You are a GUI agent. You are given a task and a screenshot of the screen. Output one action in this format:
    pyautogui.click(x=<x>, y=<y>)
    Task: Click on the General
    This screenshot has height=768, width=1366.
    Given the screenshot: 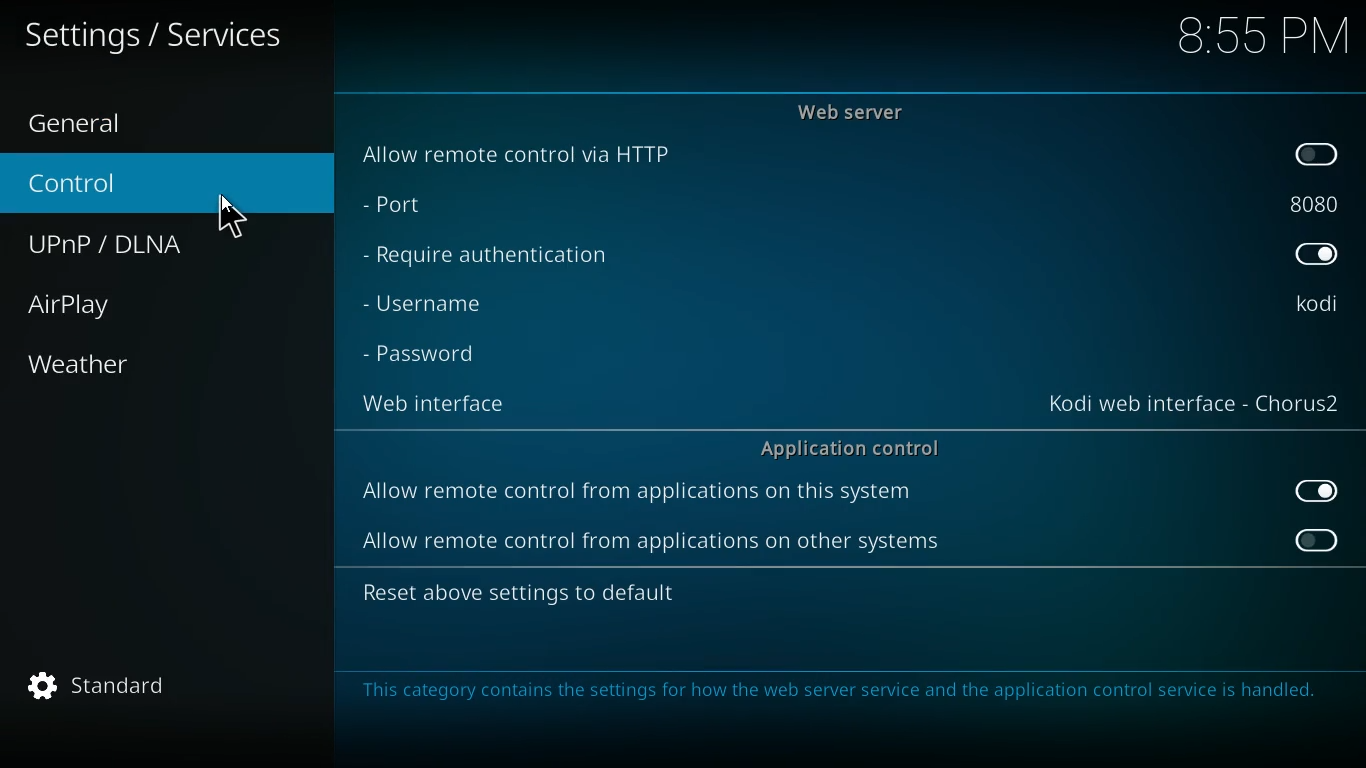 What is the action you would take?
    pyautogui.click(x=99, y=121)
    